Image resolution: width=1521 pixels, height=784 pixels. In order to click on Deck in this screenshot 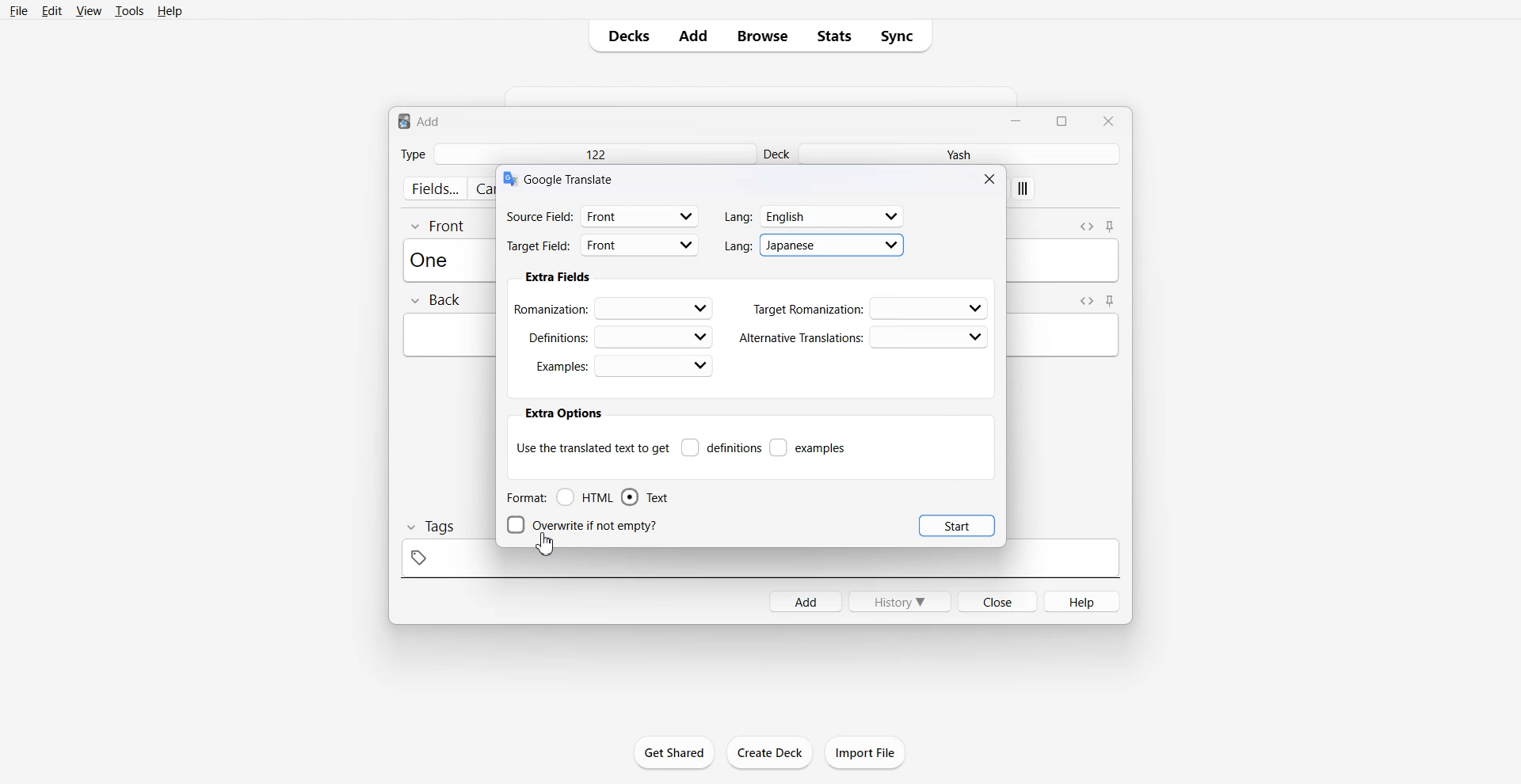, I will do `click(779, 154)`.